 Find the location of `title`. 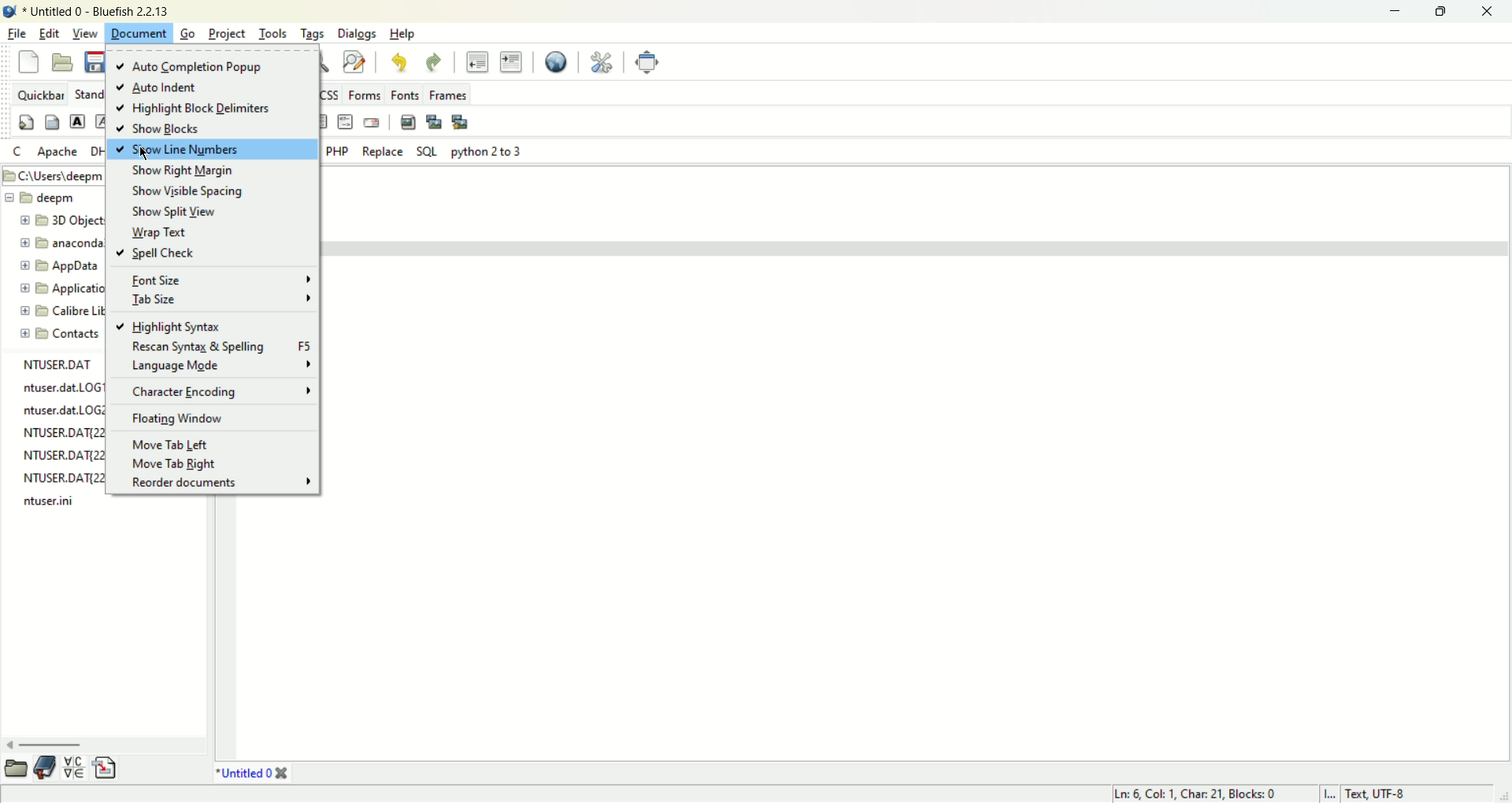

title is located at coordinates (97, 11).